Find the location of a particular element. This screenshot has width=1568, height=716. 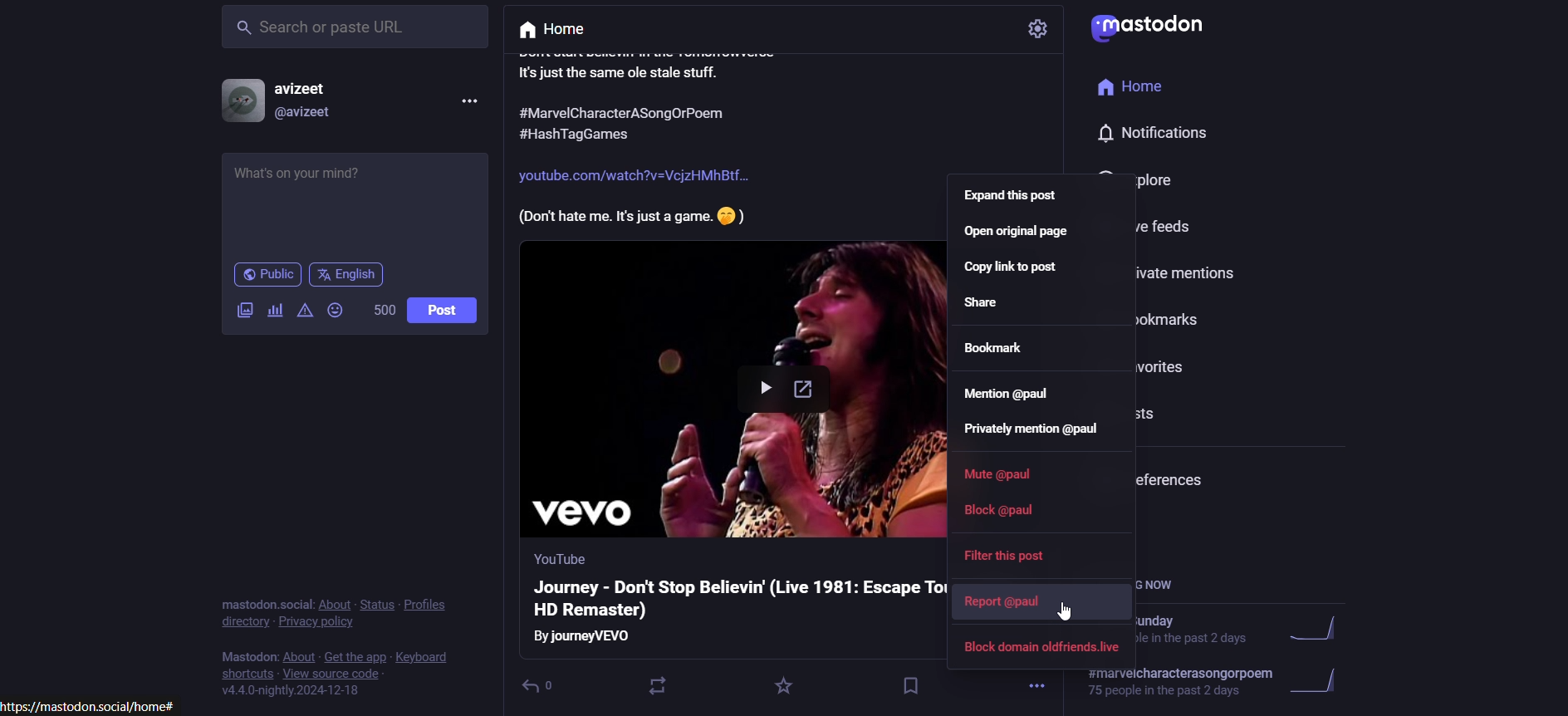

 is located at coordinates (1139, 87).